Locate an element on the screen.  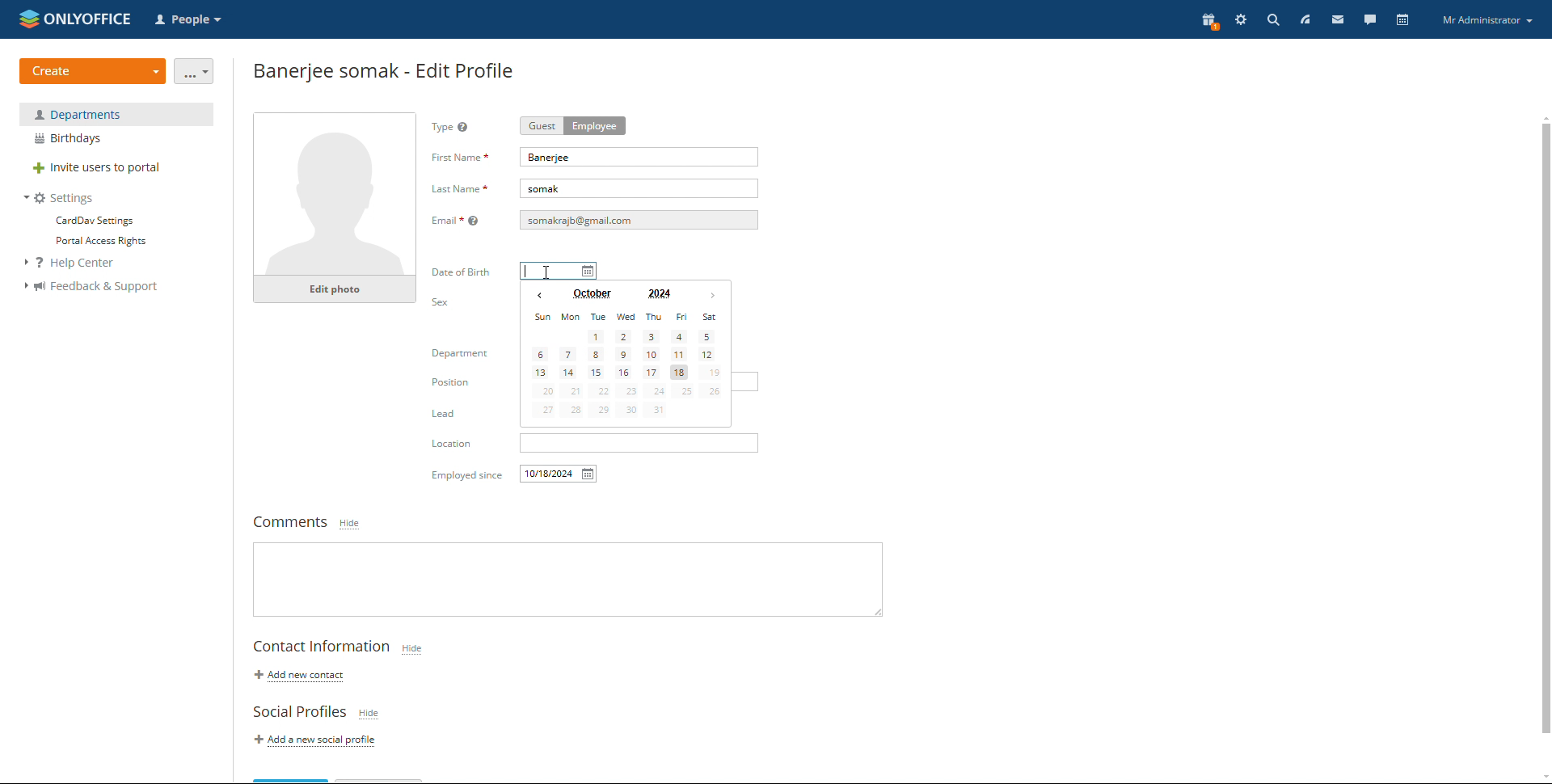
scroll up is located at coordinates (1542, 116).